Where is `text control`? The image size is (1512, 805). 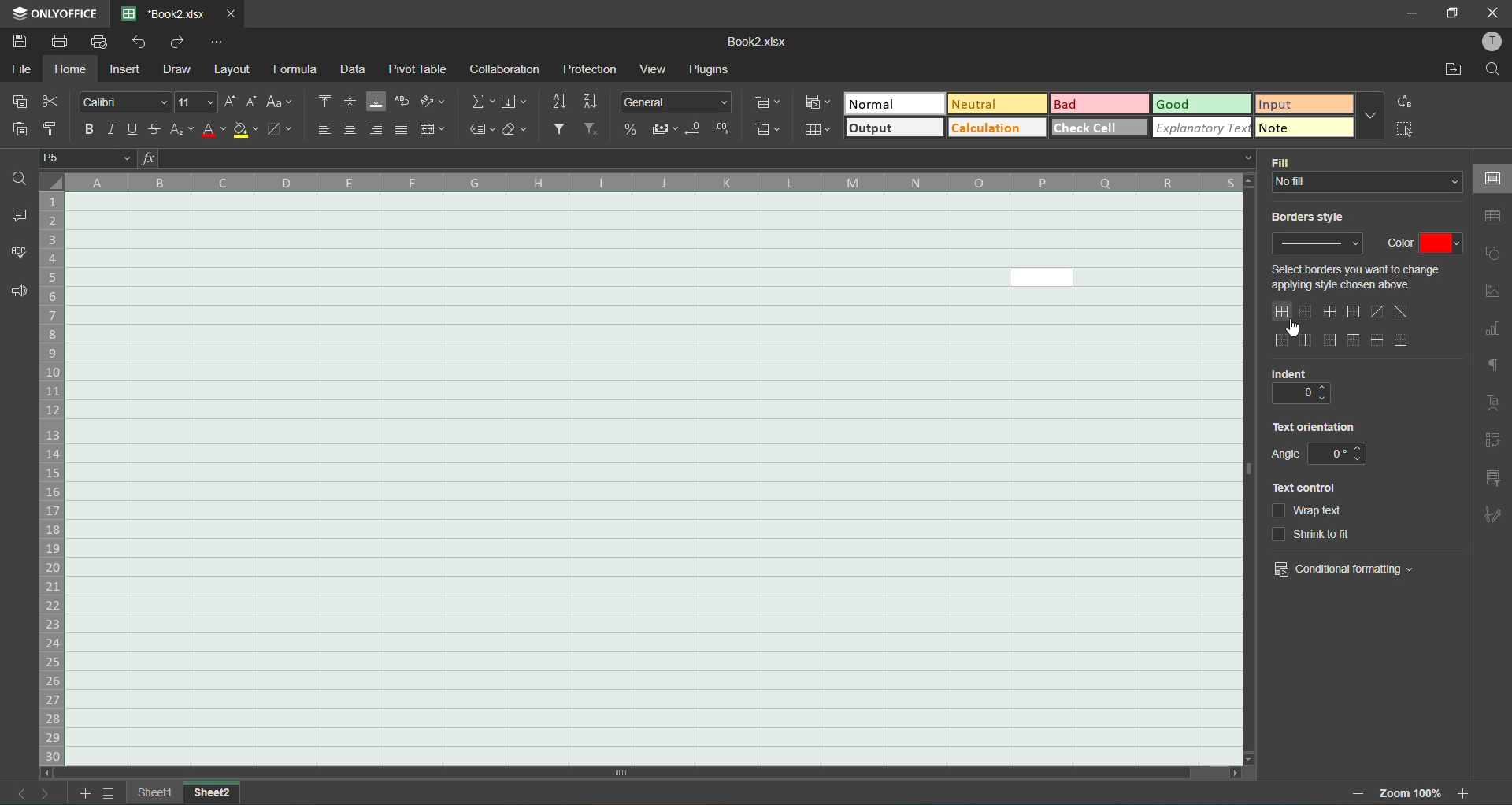 text control is located at coordinates (1303, 488).